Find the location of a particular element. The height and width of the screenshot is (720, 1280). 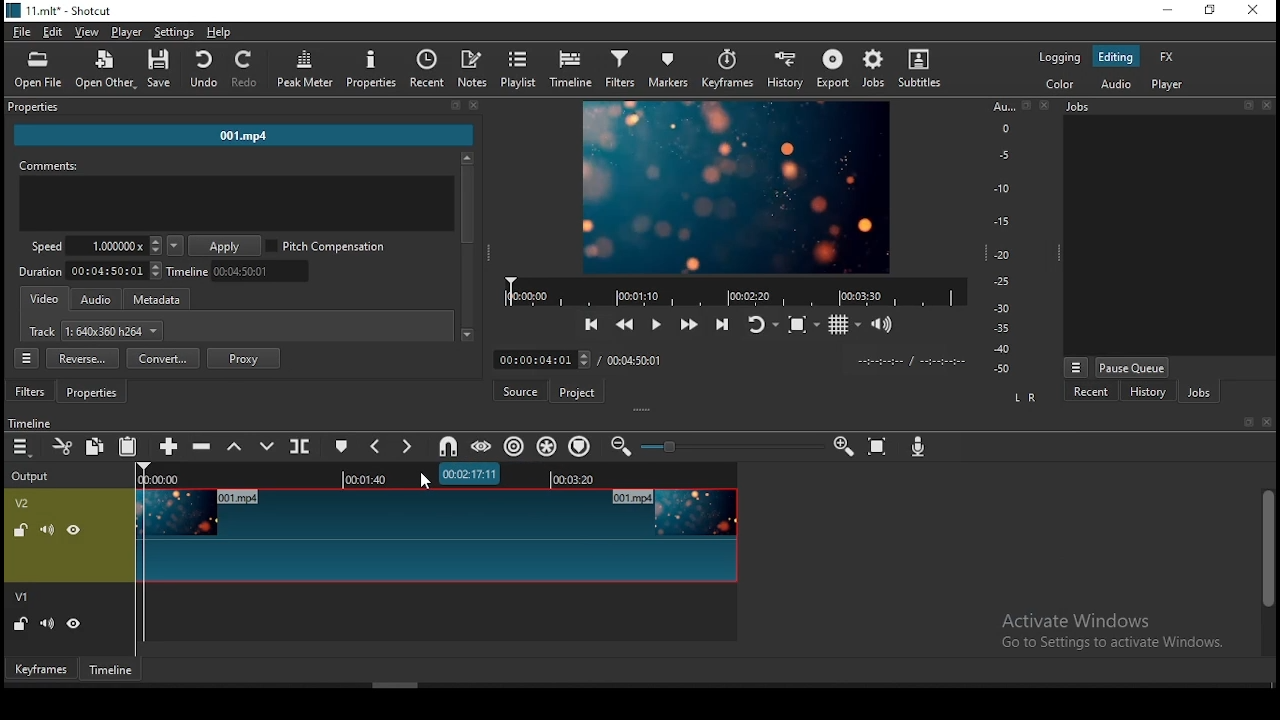

play quickly backwards is located at coordinates (625, 324).